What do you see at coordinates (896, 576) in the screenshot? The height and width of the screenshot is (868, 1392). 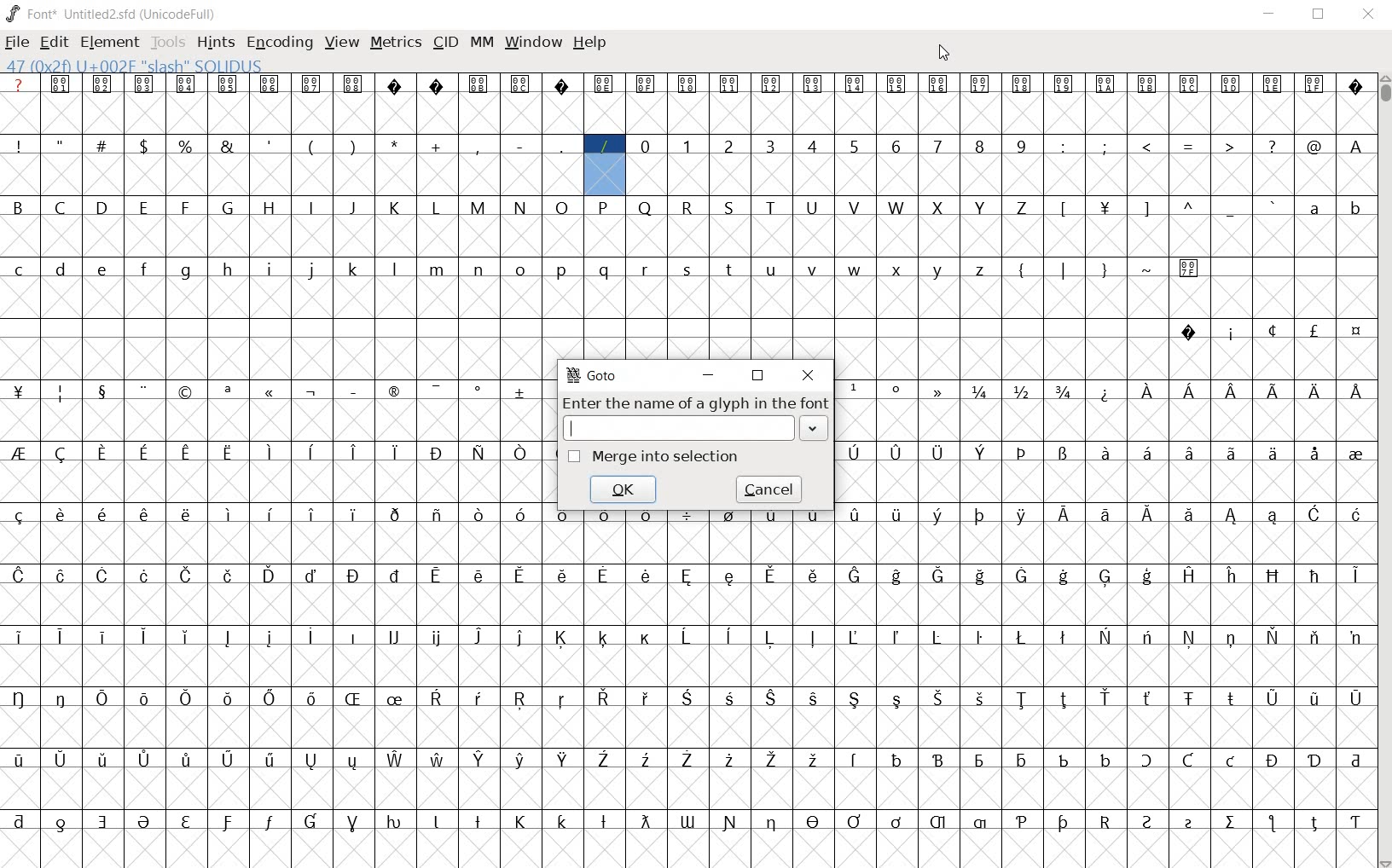 I see `glyph` at bounding box center [896, 576].